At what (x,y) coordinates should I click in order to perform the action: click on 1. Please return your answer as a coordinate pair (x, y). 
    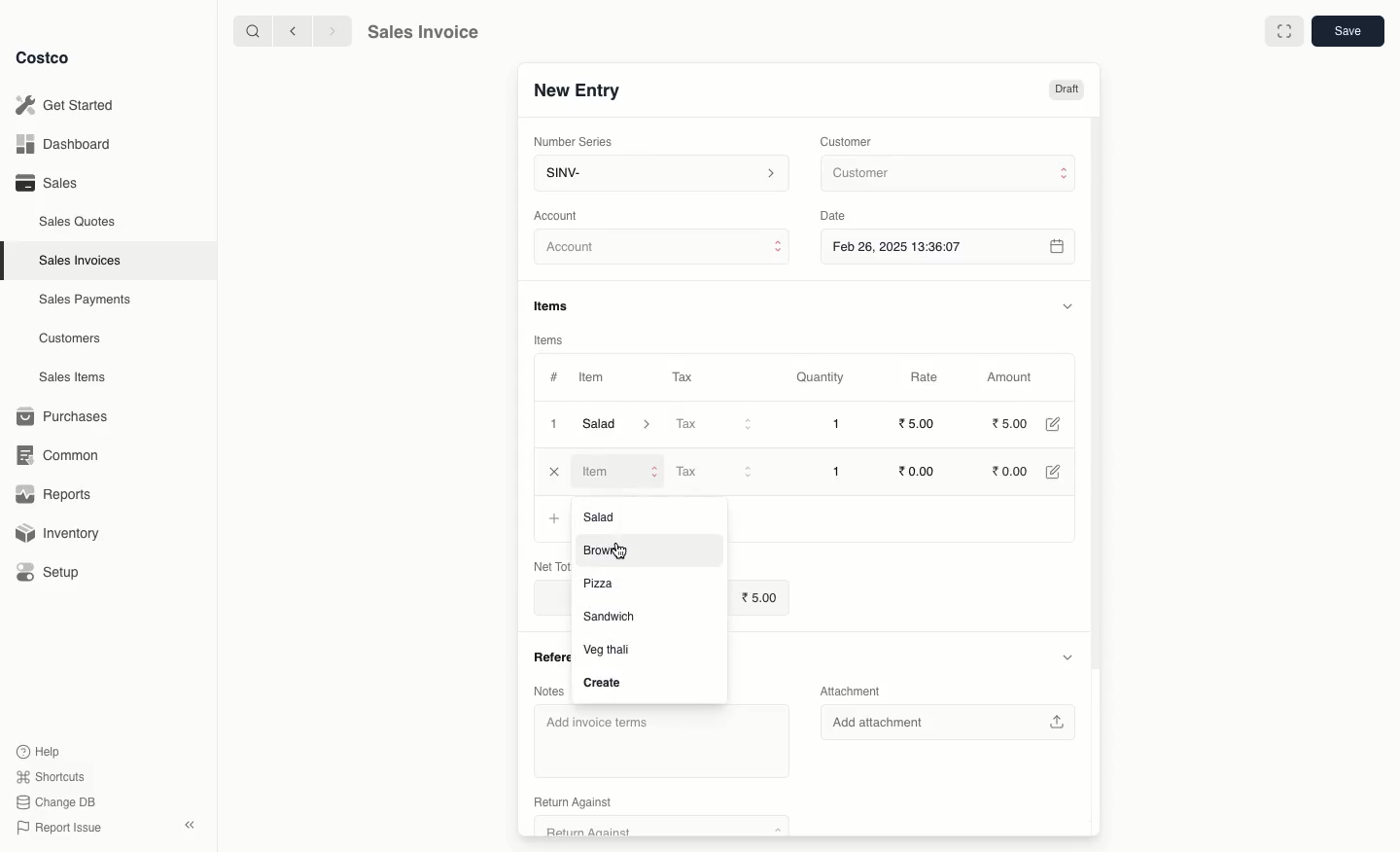
    Looking at the image, I should click on (836, 424).